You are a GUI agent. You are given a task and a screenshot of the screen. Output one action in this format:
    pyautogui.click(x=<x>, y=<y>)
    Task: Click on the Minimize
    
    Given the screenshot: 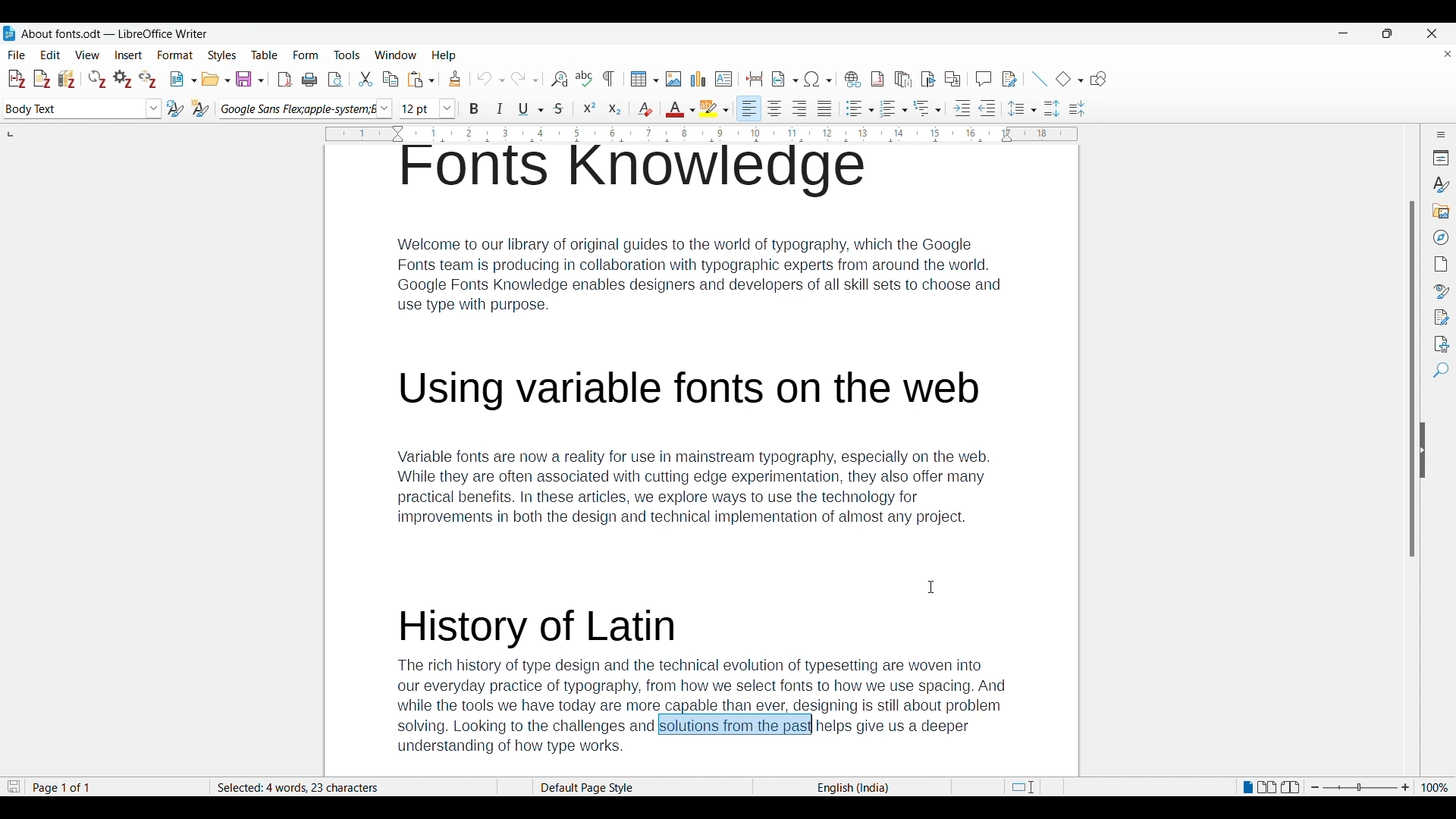 What is the action you would take?
    pyautogui.click(x=1343, y=33)
    